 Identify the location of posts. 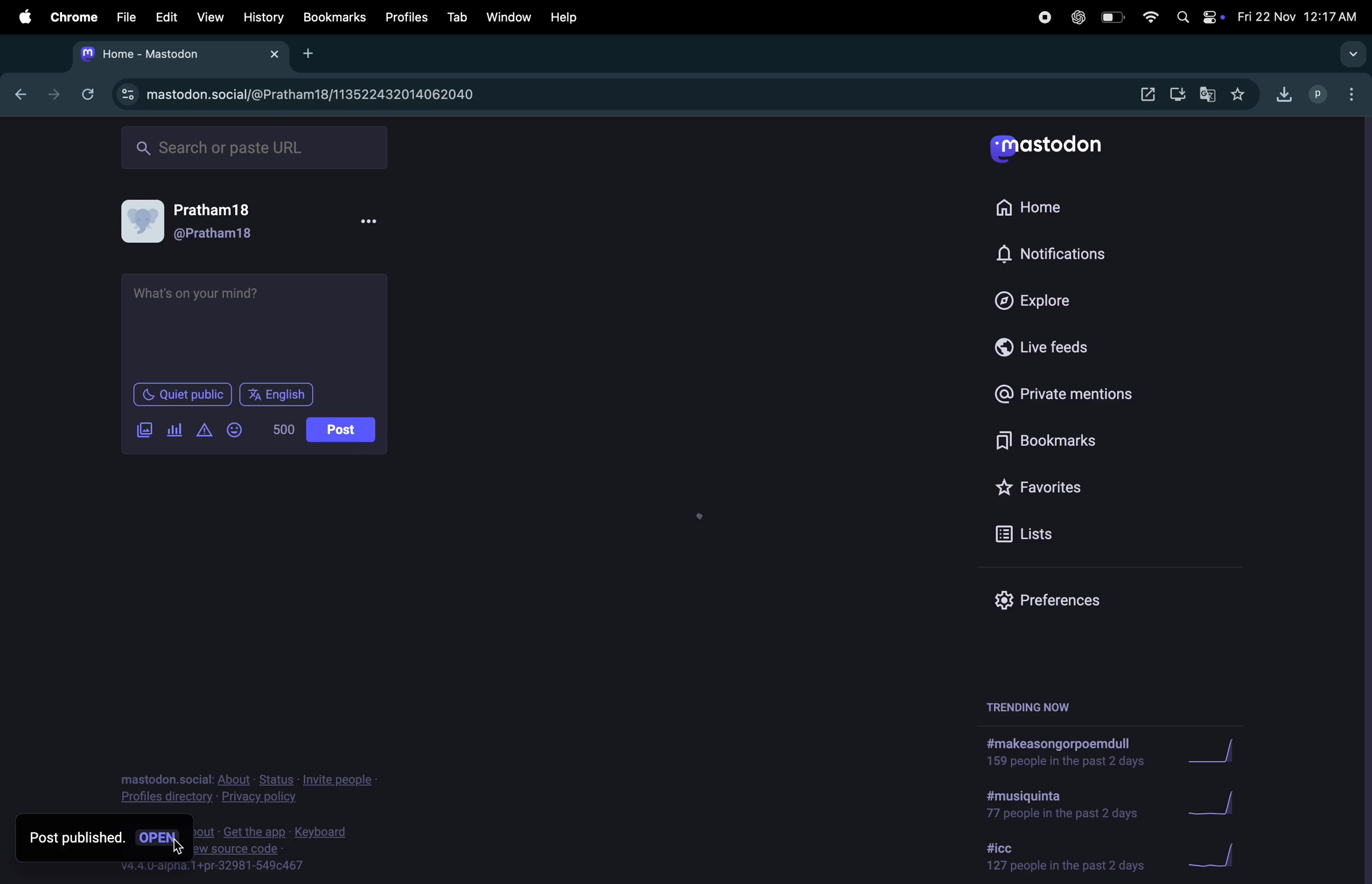
(341, 431).